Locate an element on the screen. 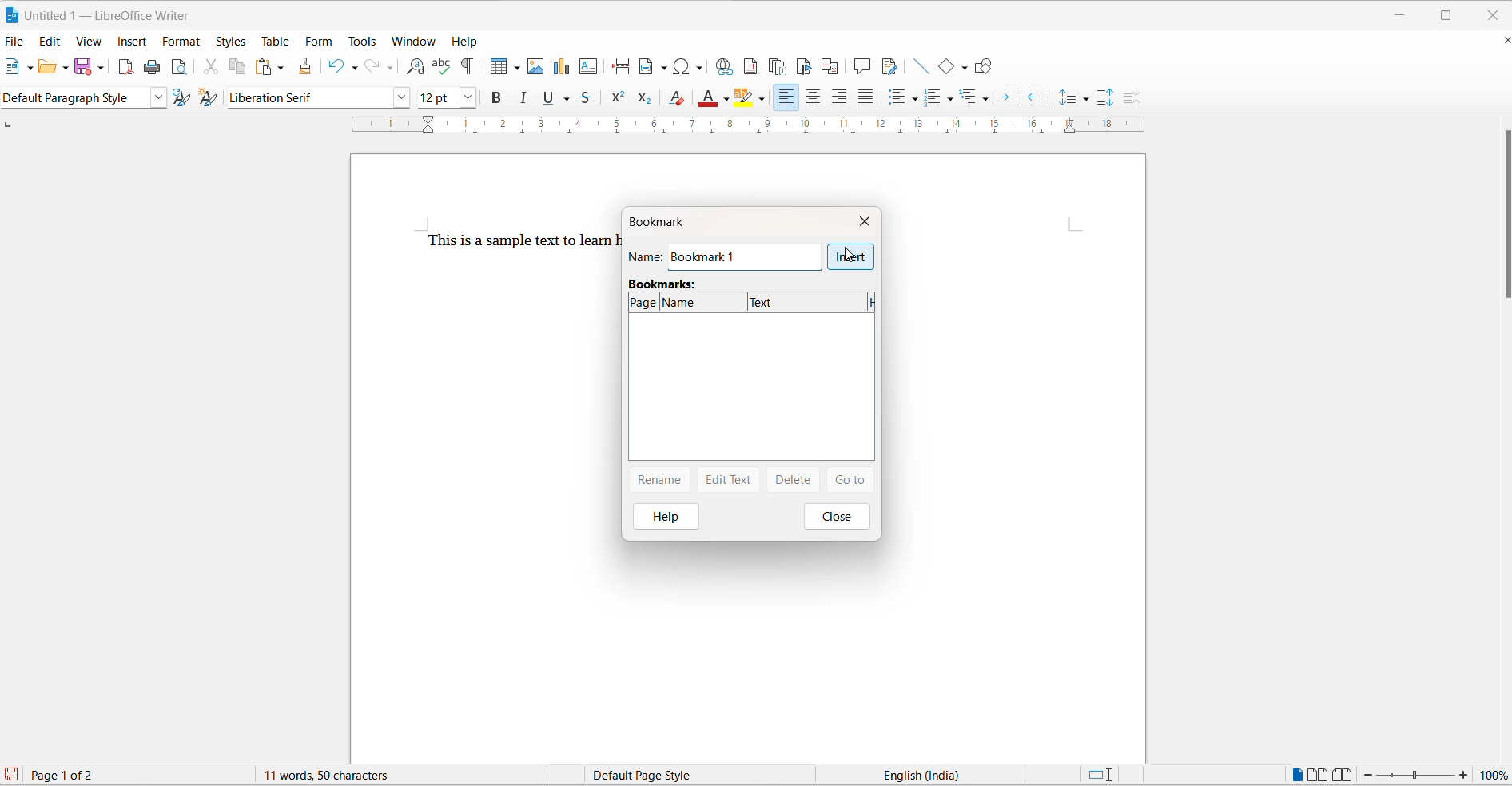 The image size is (1512, 786). zoom percentage is located at coordinates (1496, 774).